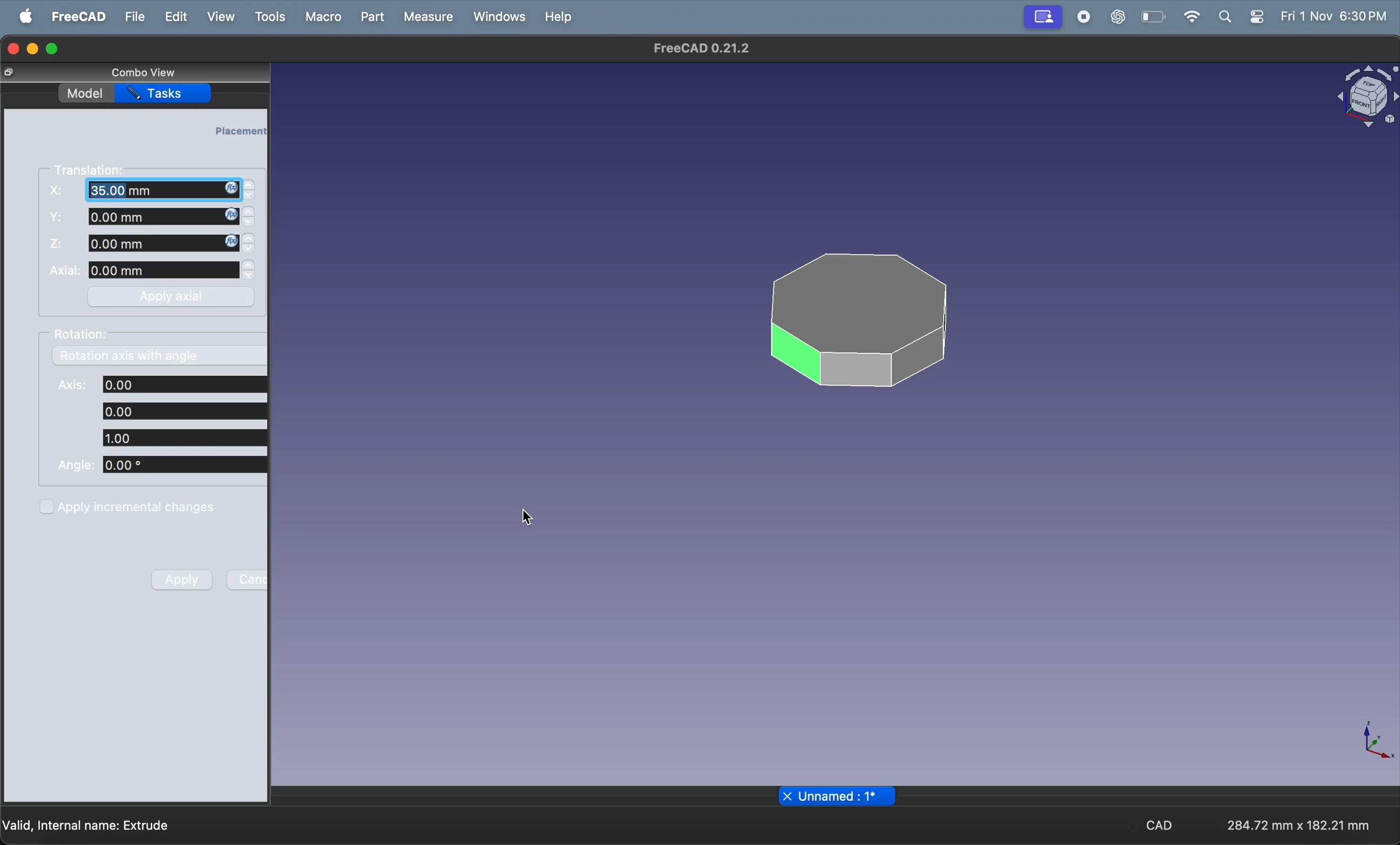 This screenshot has height=845, width=1400. Describe the element at coordinates (240, 130) in the screenshot. I see `placement` at that location.